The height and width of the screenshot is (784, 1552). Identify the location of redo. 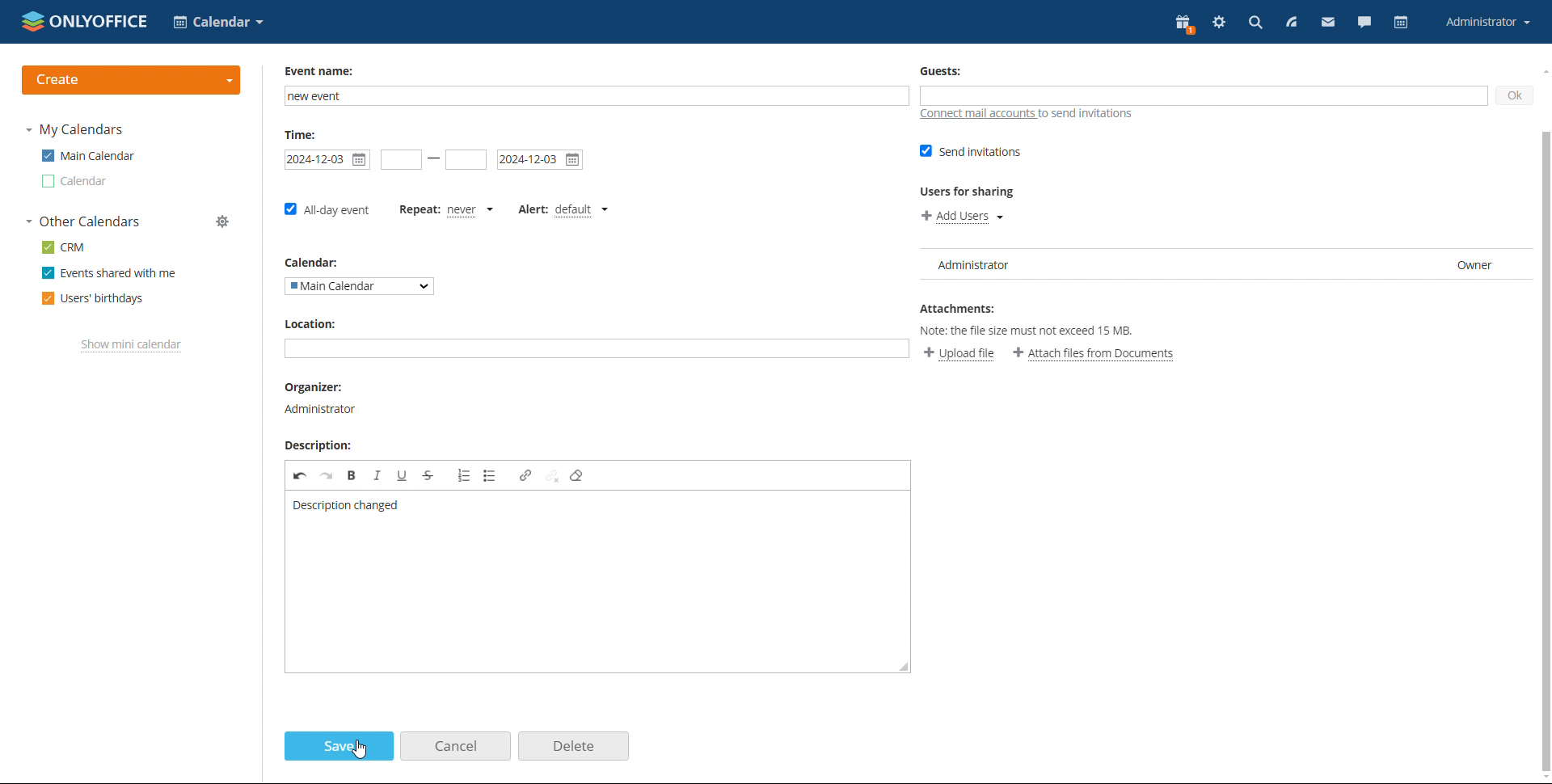
(326, 477).